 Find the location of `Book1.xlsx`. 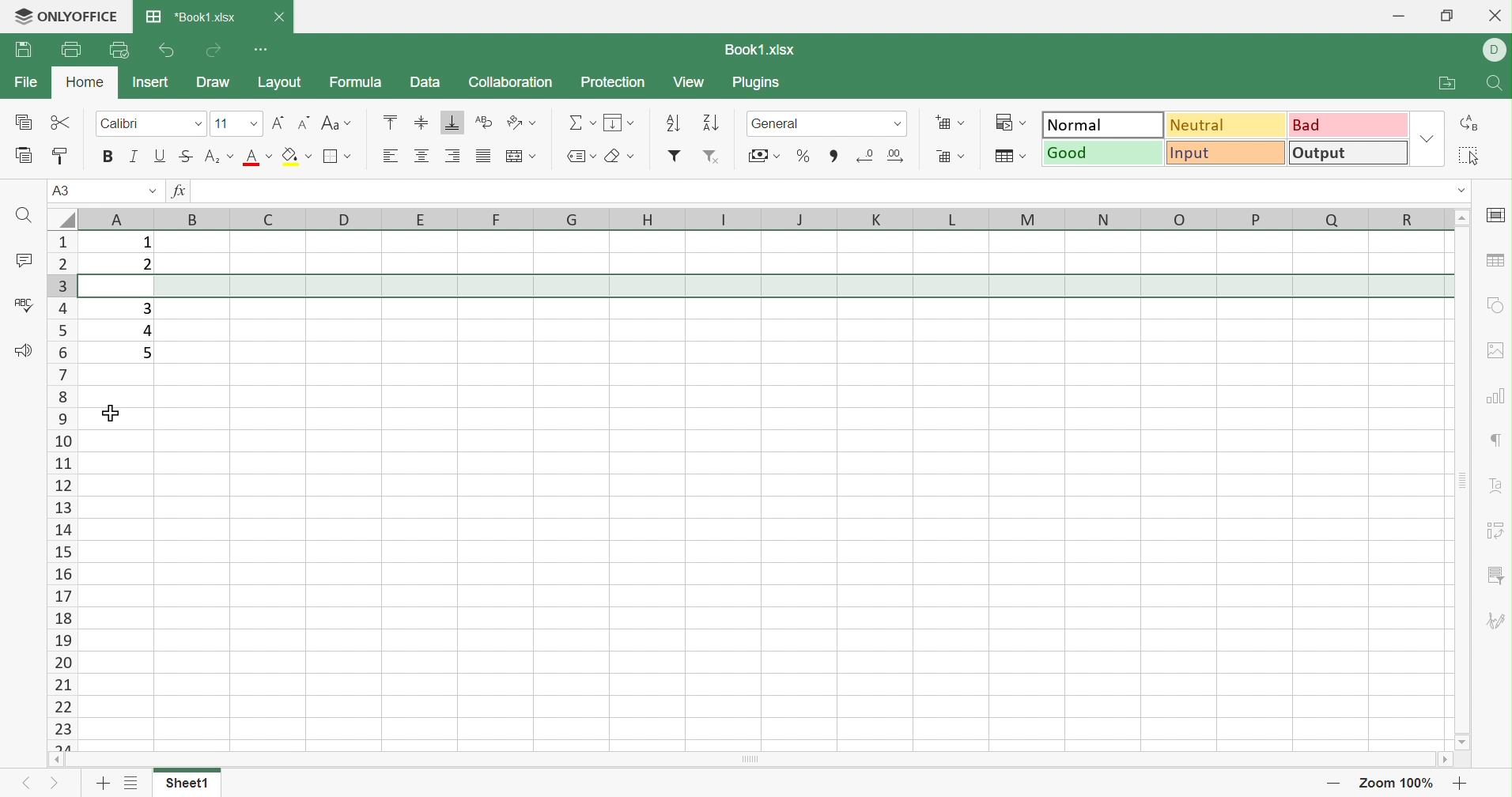

Book1.xlsx is located at coordinates (765, 47).